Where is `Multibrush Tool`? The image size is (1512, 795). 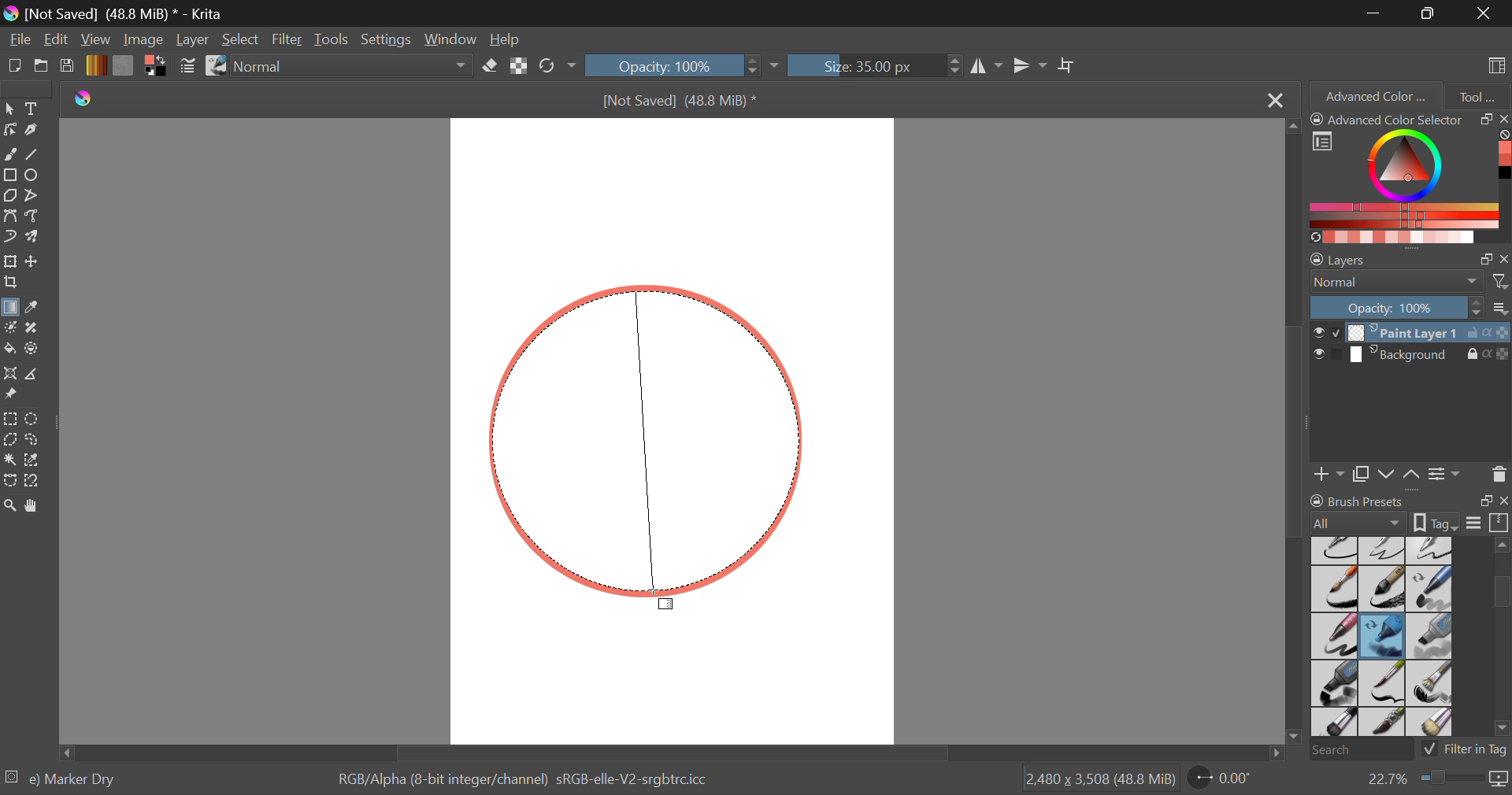 Multibrush Tool is located at coordinates (37, 238).